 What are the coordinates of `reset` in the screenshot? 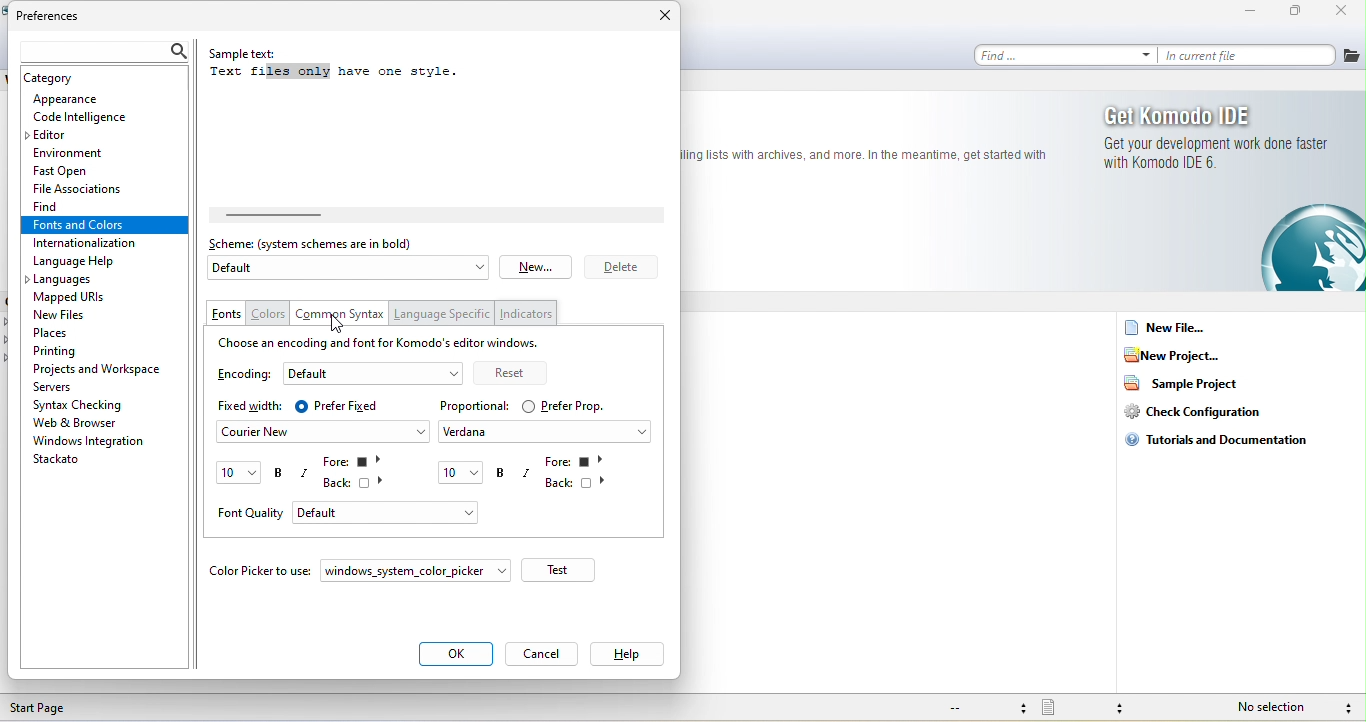 It's located at (515, 373).